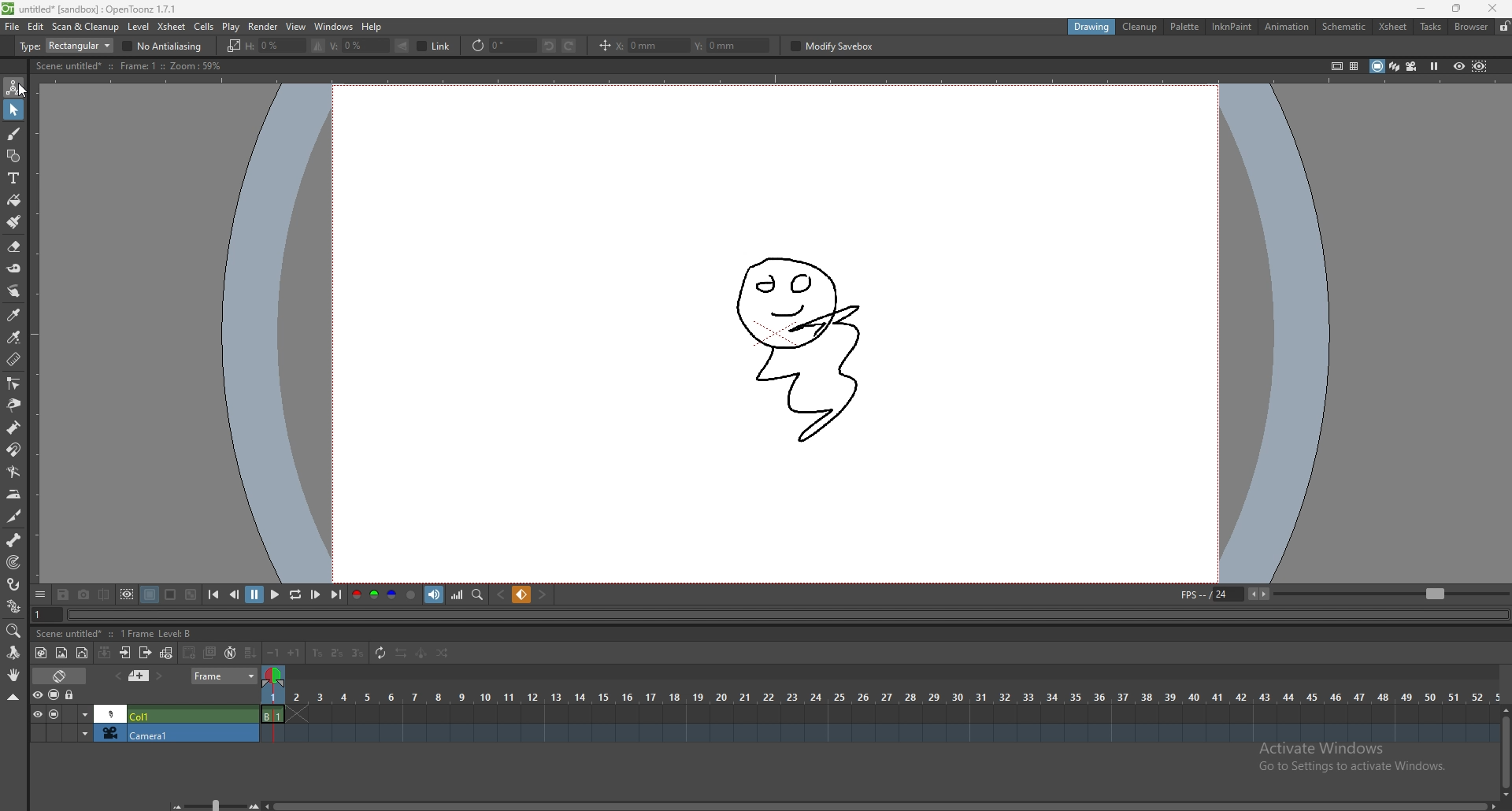 The image size is (1512, 811). Describe the element at coordinates (84, 594) in the screenshot. I see `snapshot` at that location.